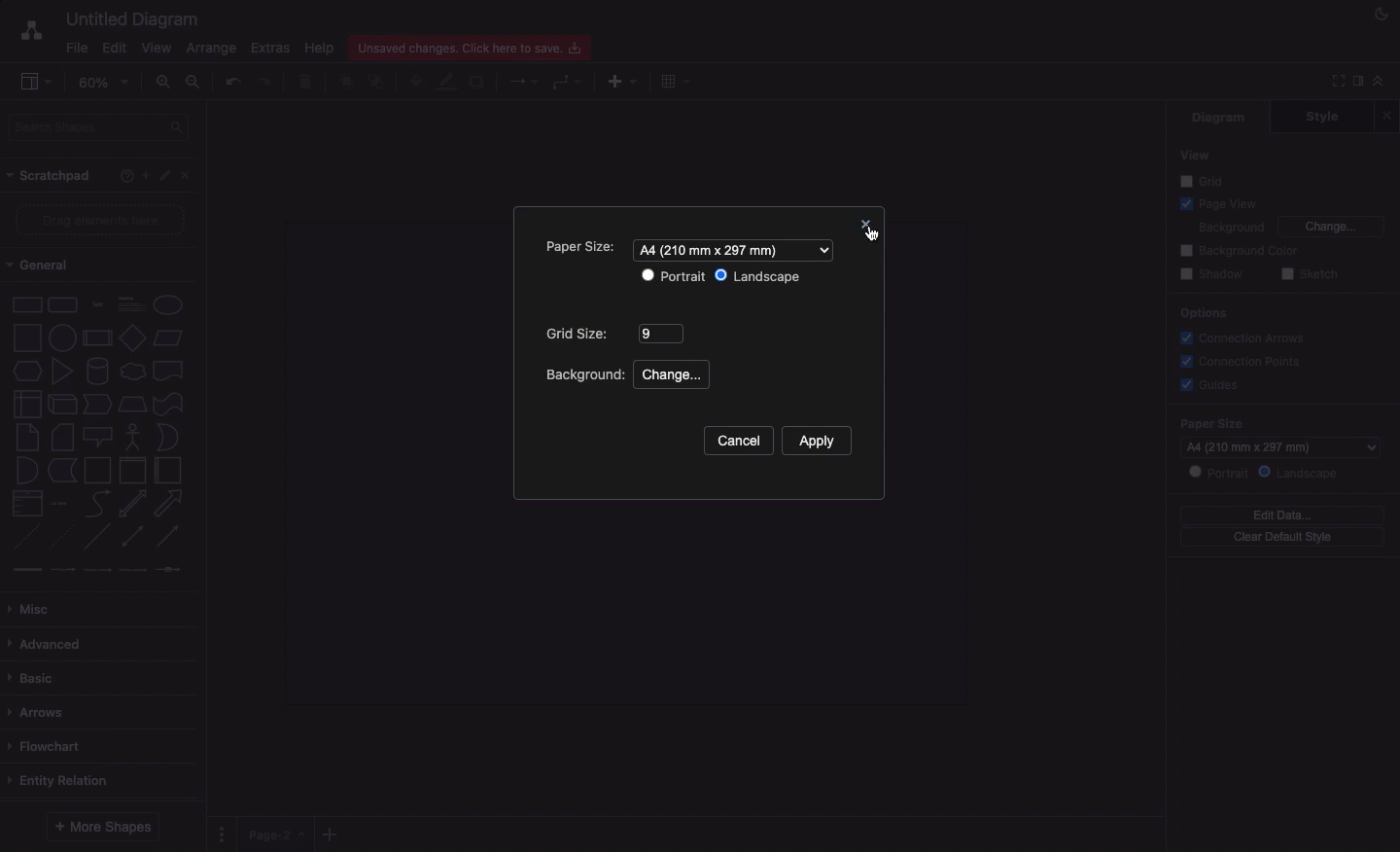  Describe the element at coordinates (415, 82) in the screenshot. I see `Fill` at that location.